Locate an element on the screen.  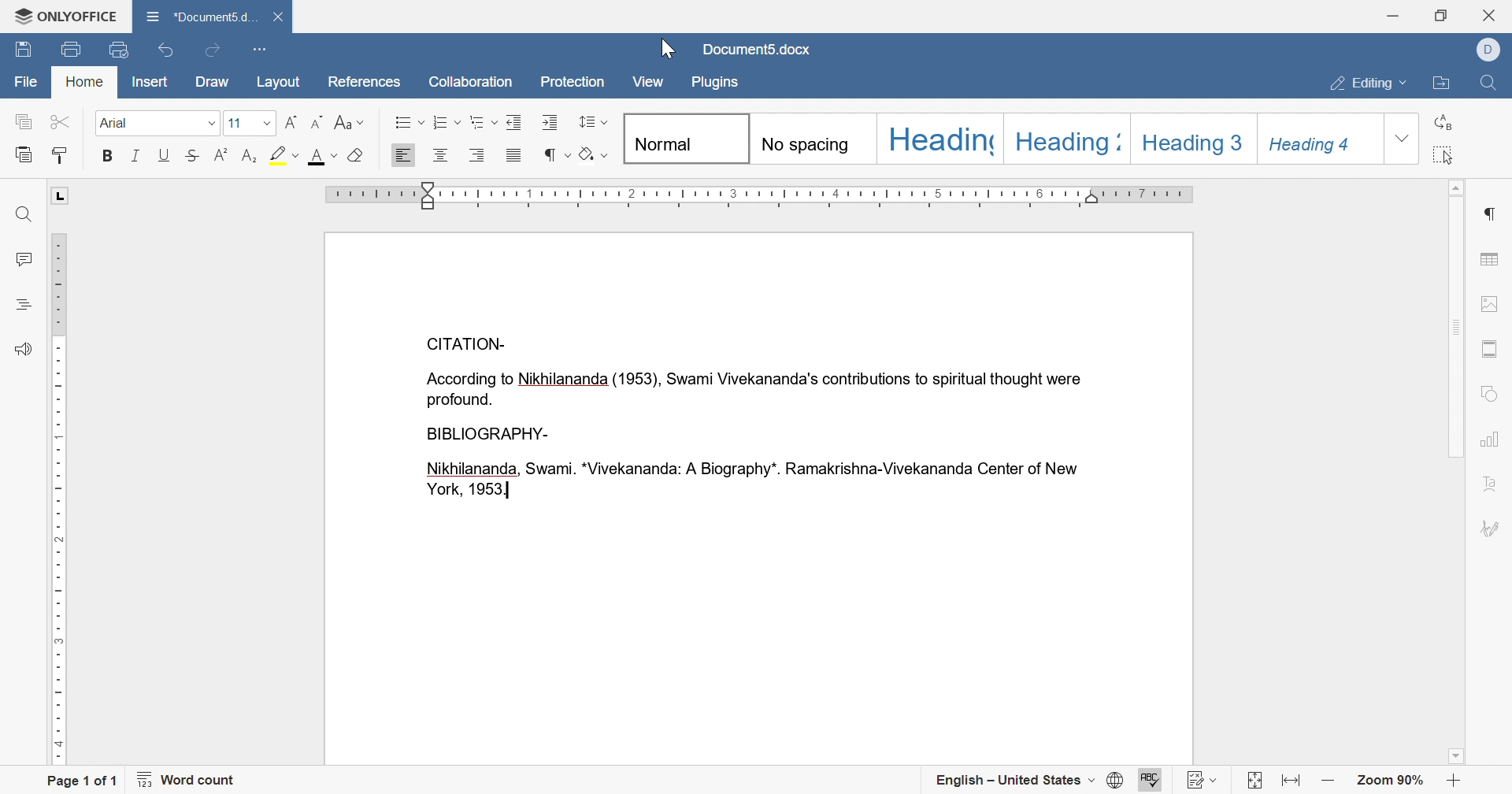
Heading is located at coordinates (944, 139).